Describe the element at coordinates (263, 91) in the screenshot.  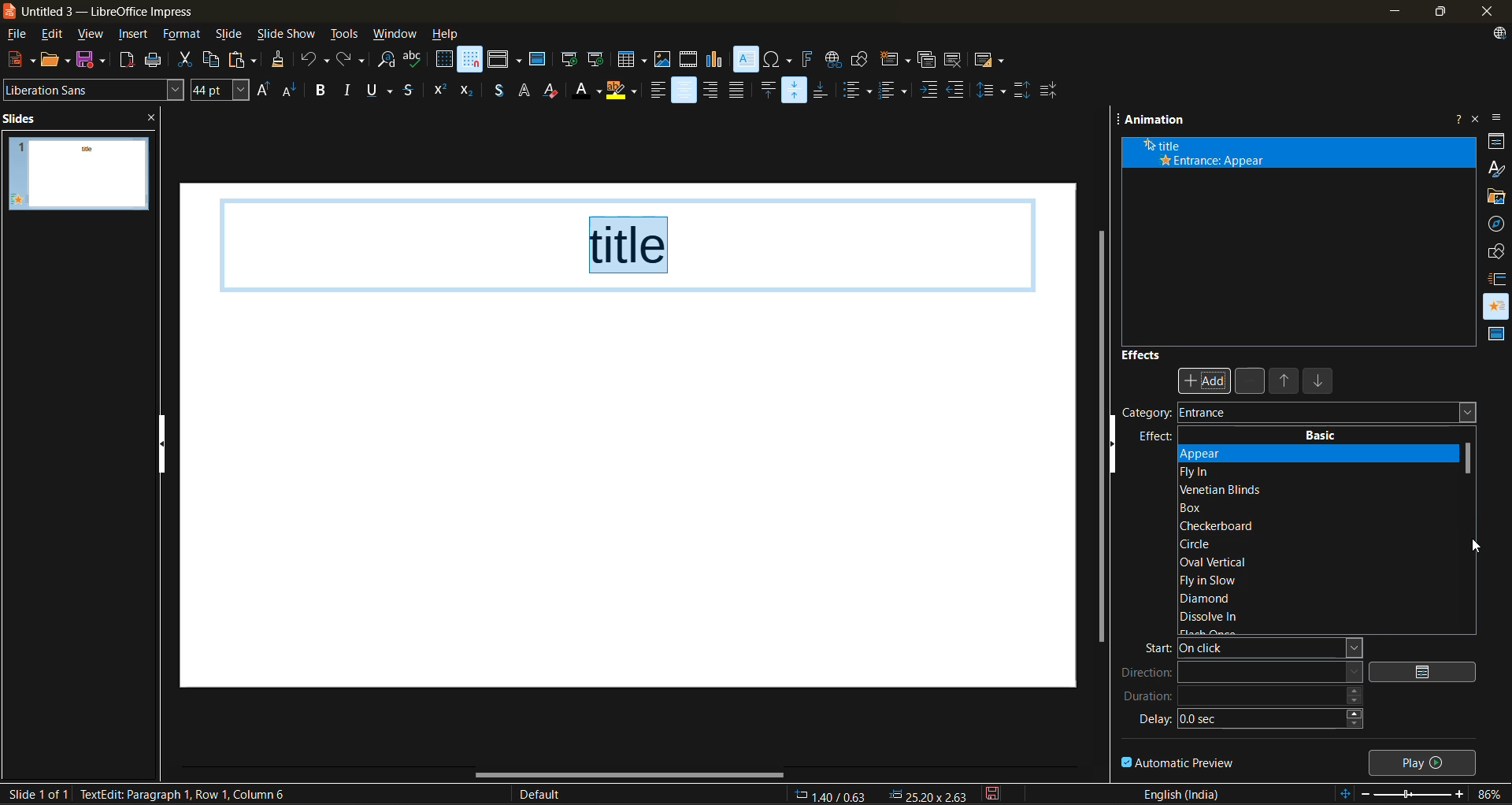
I see `increase font size` at that location.